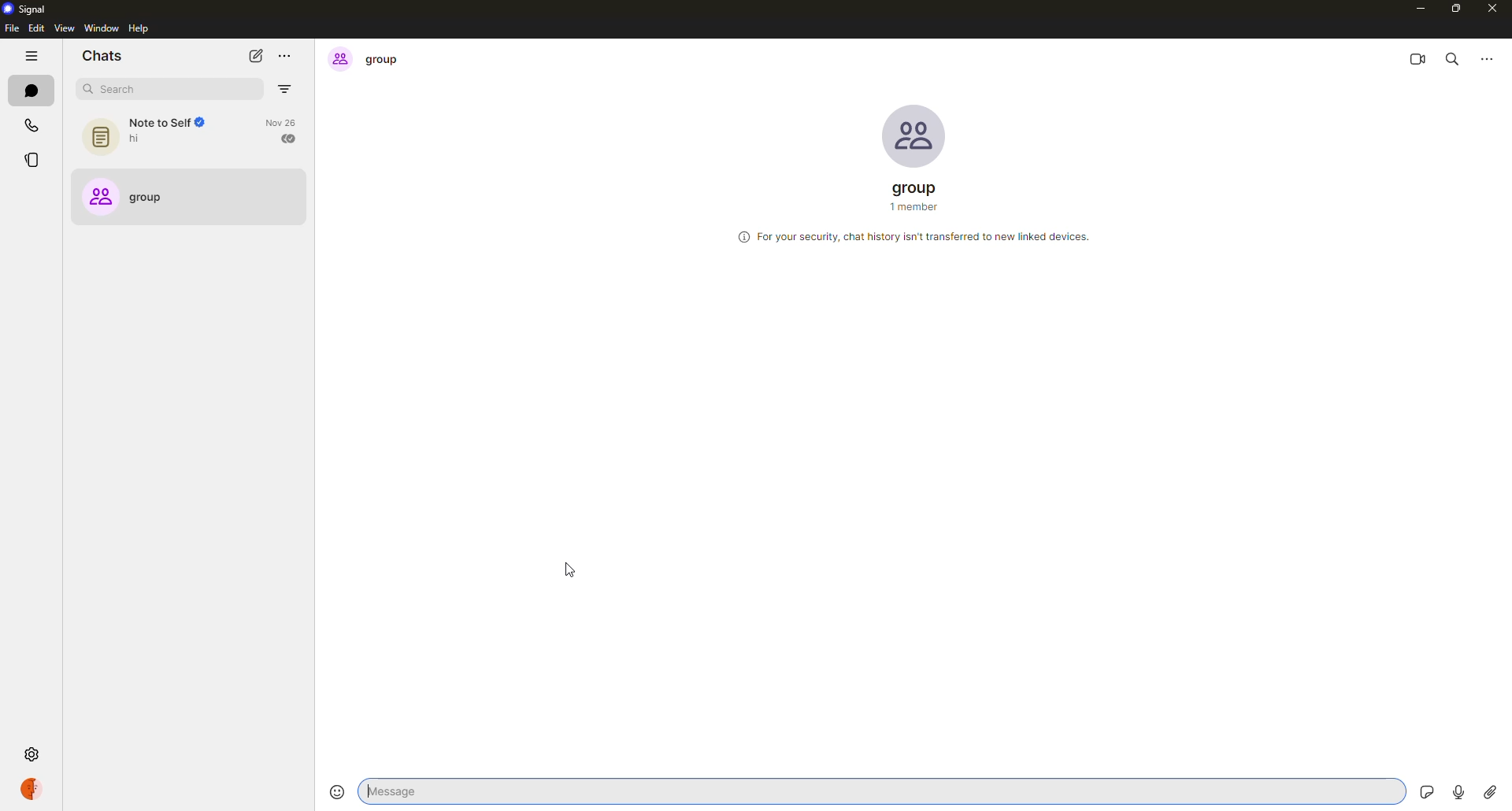  Describe the element at coordinates (570, 571) in the screenshot. I see `cursor` at that location.